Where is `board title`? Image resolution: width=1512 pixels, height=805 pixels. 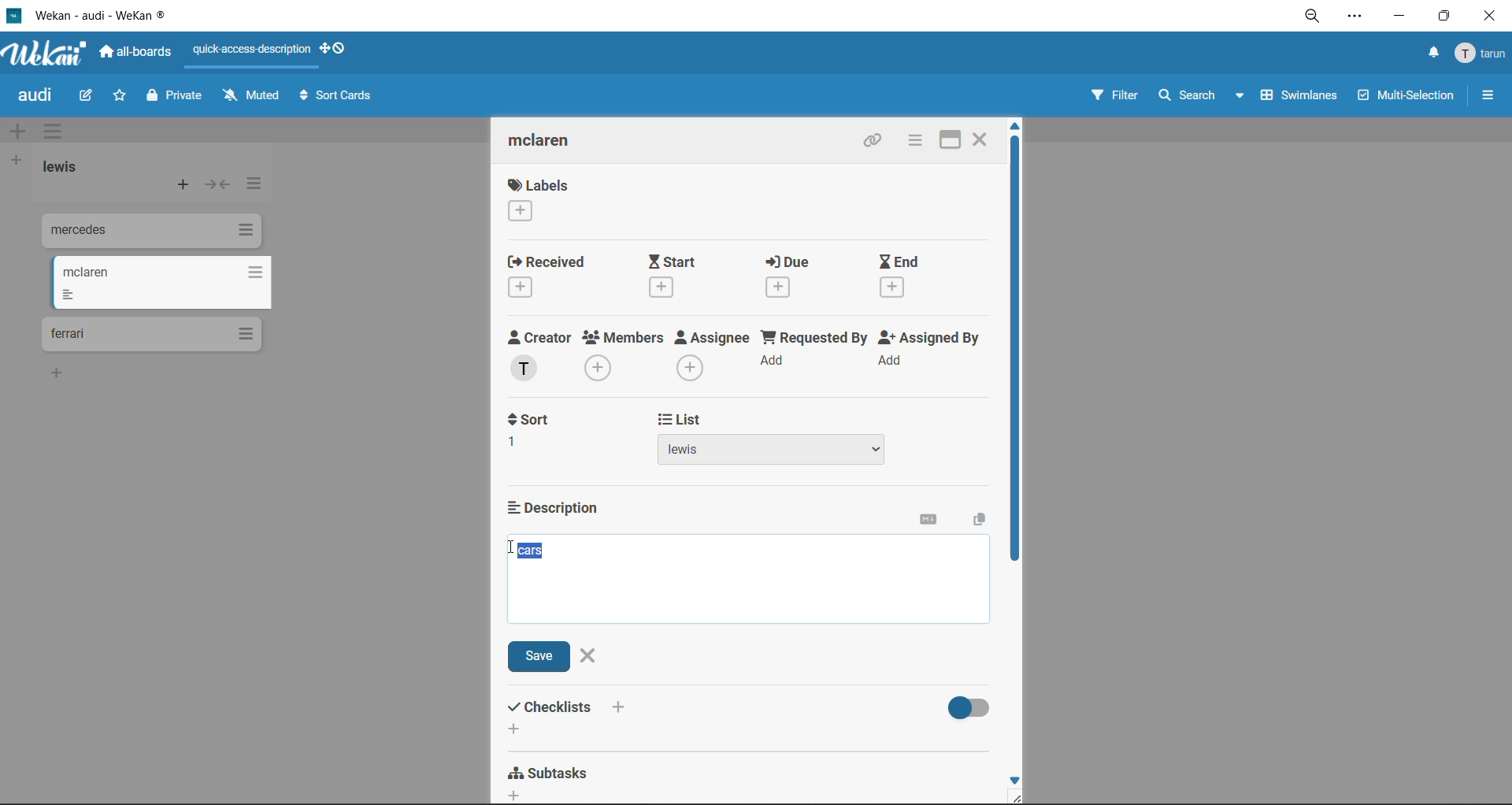
board title is located at coordinates (39, 95).